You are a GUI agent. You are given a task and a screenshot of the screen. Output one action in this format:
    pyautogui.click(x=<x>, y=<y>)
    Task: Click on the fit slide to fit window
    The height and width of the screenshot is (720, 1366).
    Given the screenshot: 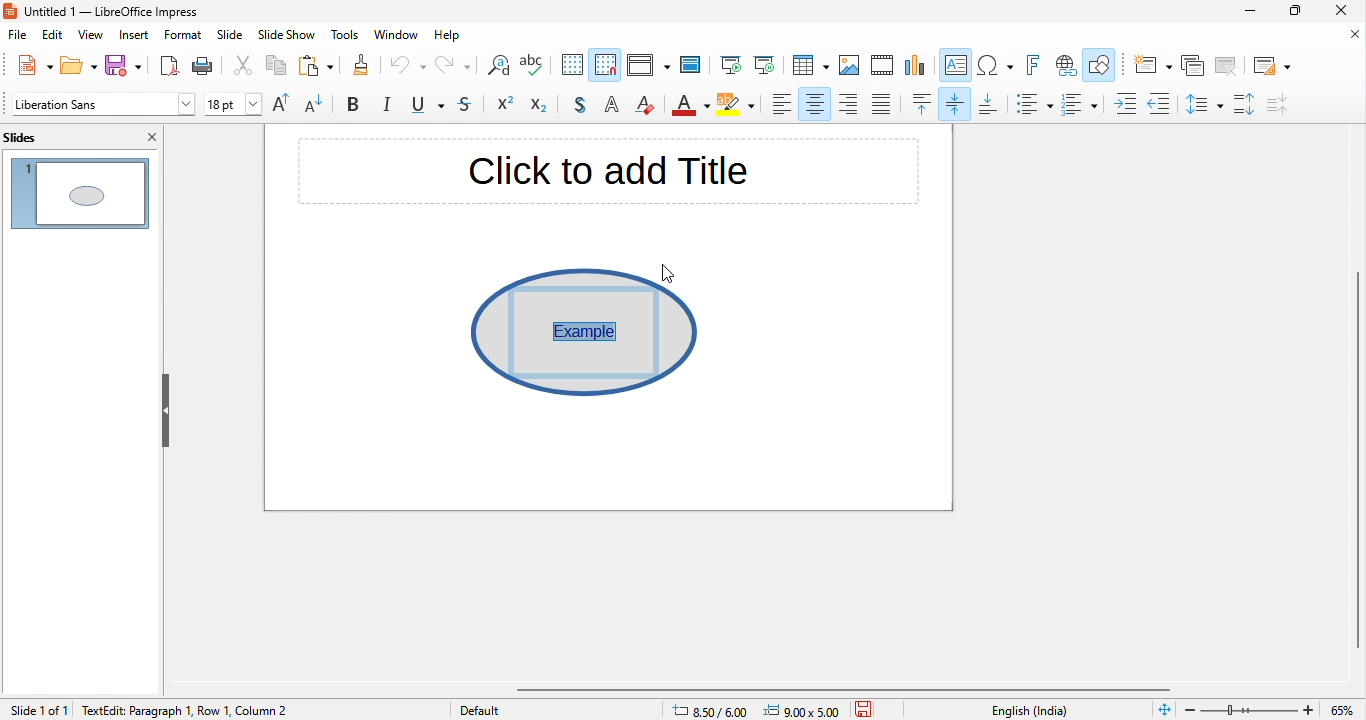 What is the action you would take?
    pyautogui.click(x=1164, y=710)
    